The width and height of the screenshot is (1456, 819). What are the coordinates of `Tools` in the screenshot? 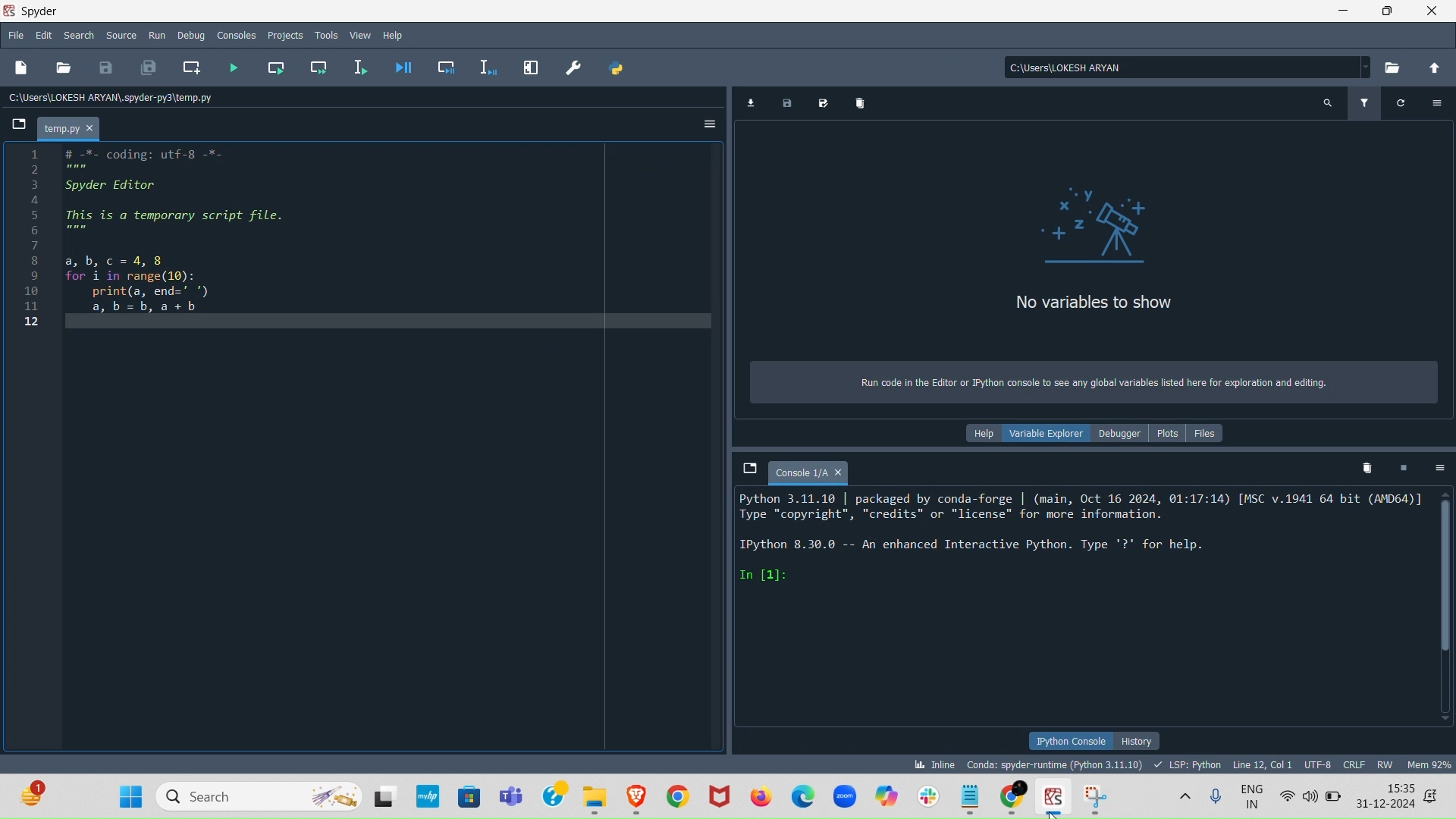 It's located at (326, 33).